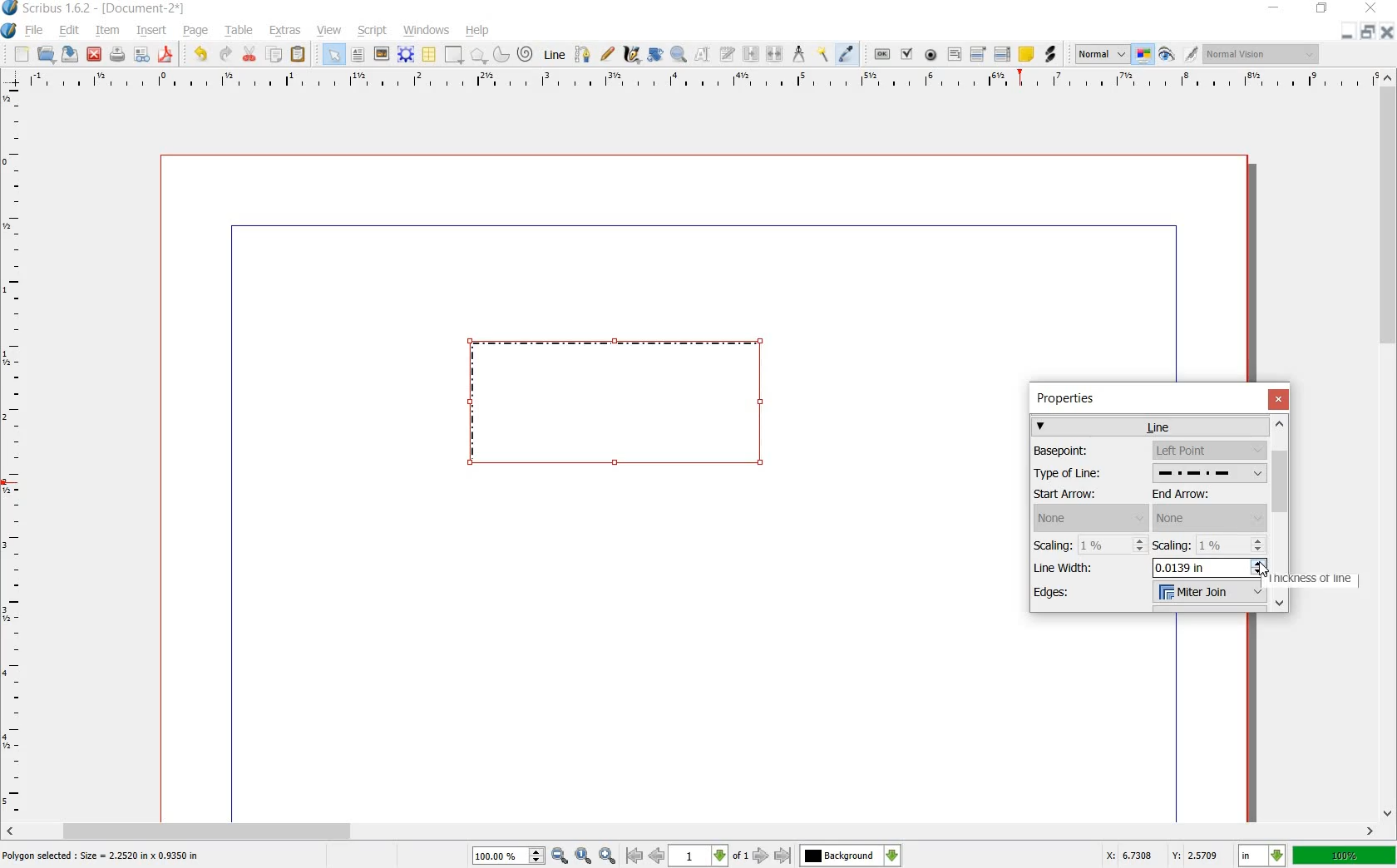  What do you see at coordinates (1070, 567) in the screenshot?
I see `Line Width:` at bounding box center [1070, 567].